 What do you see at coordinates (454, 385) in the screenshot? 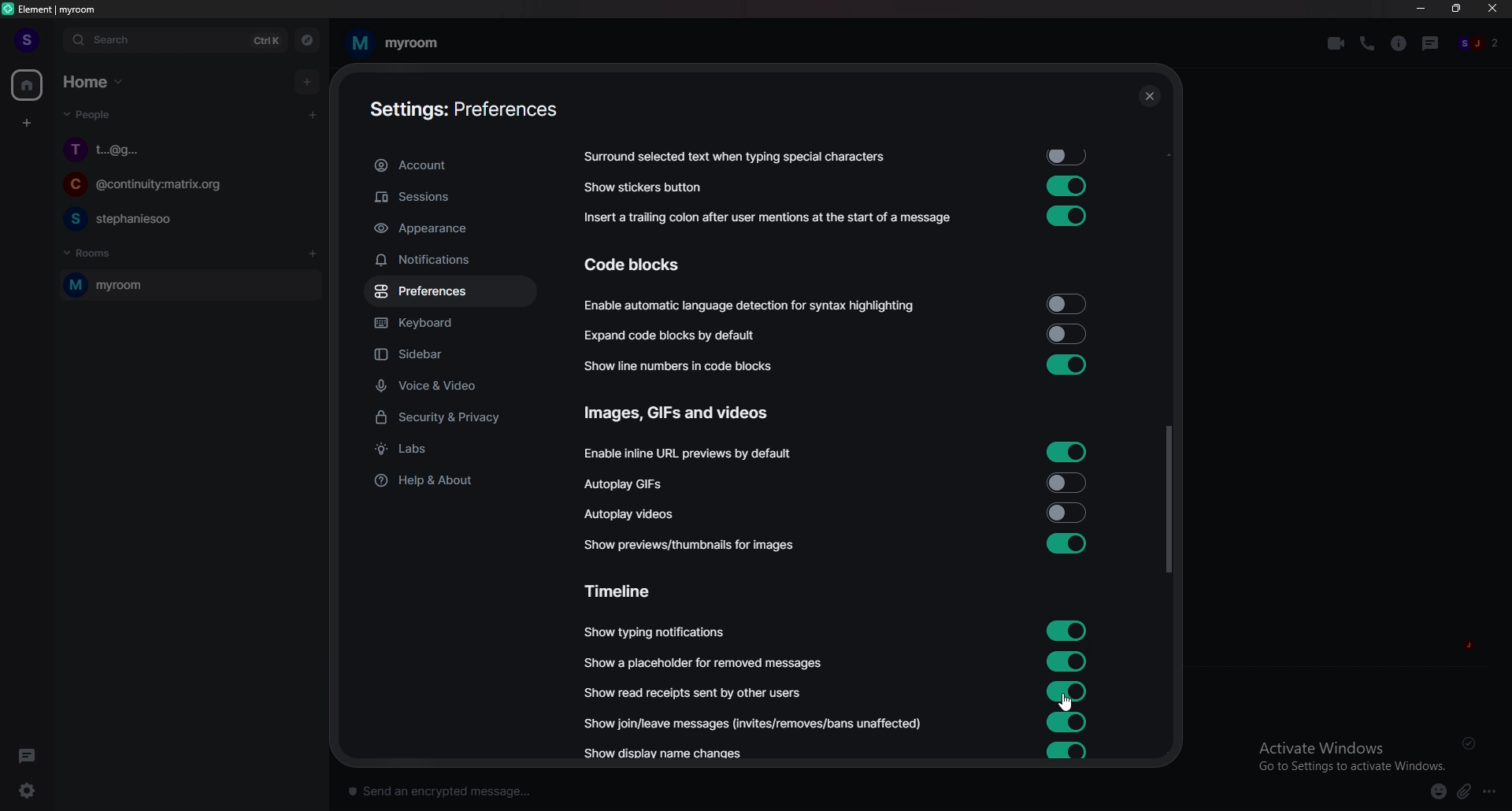
I see `voice and video` at bounding box center [454, 385].